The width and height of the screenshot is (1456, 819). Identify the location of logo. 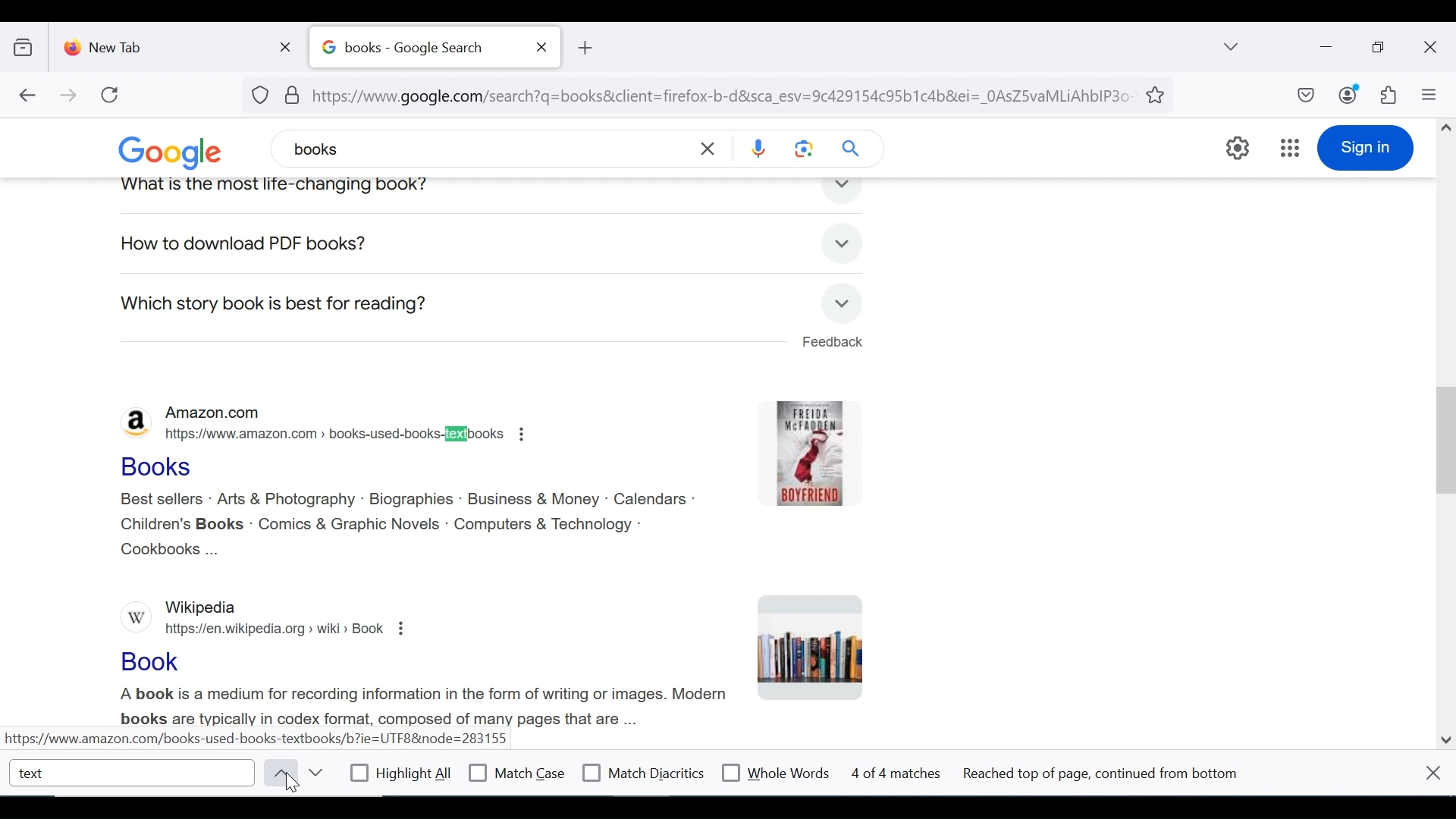
(133, 421).